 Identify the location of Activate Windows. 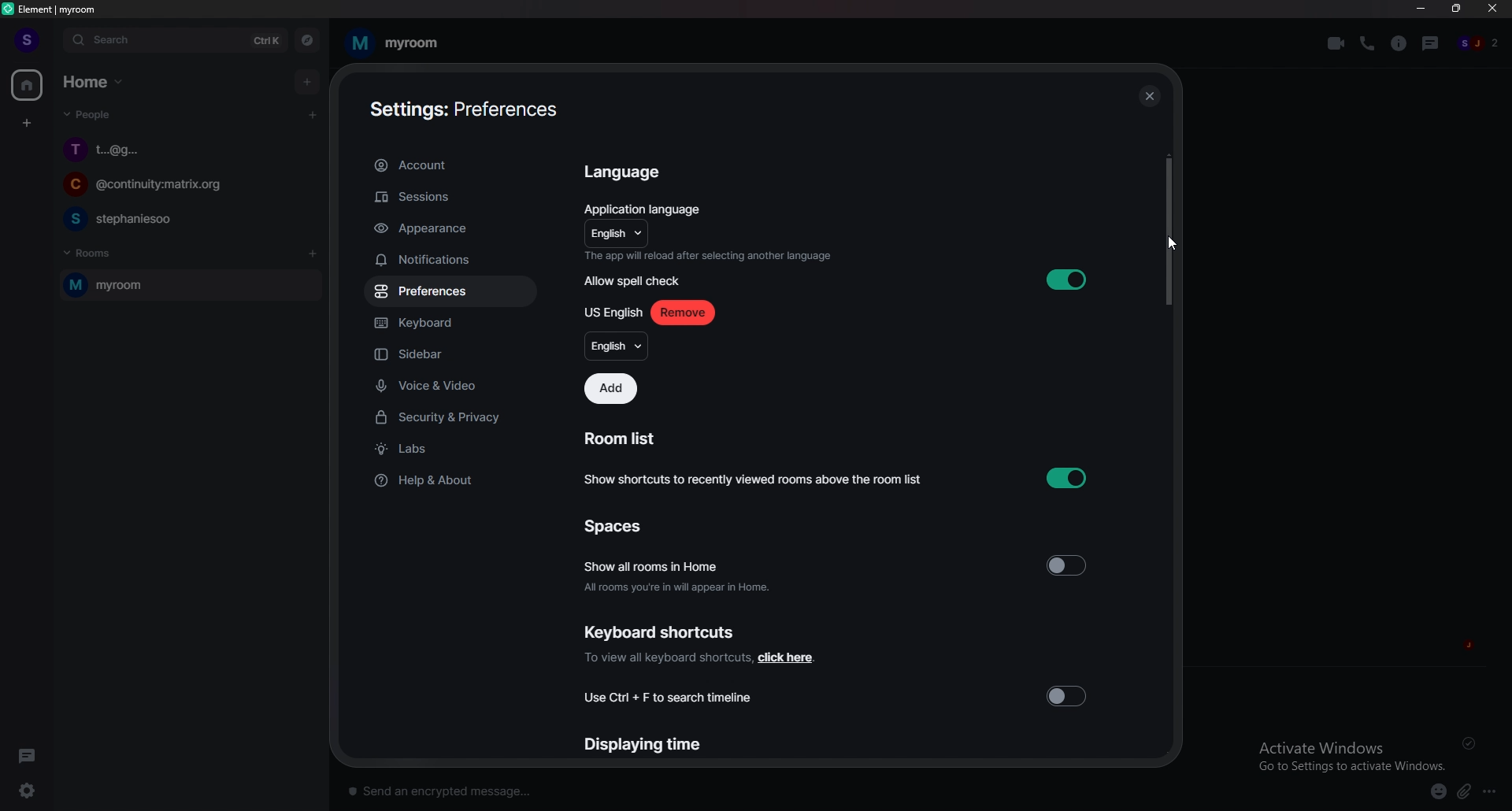
(1346, 754).